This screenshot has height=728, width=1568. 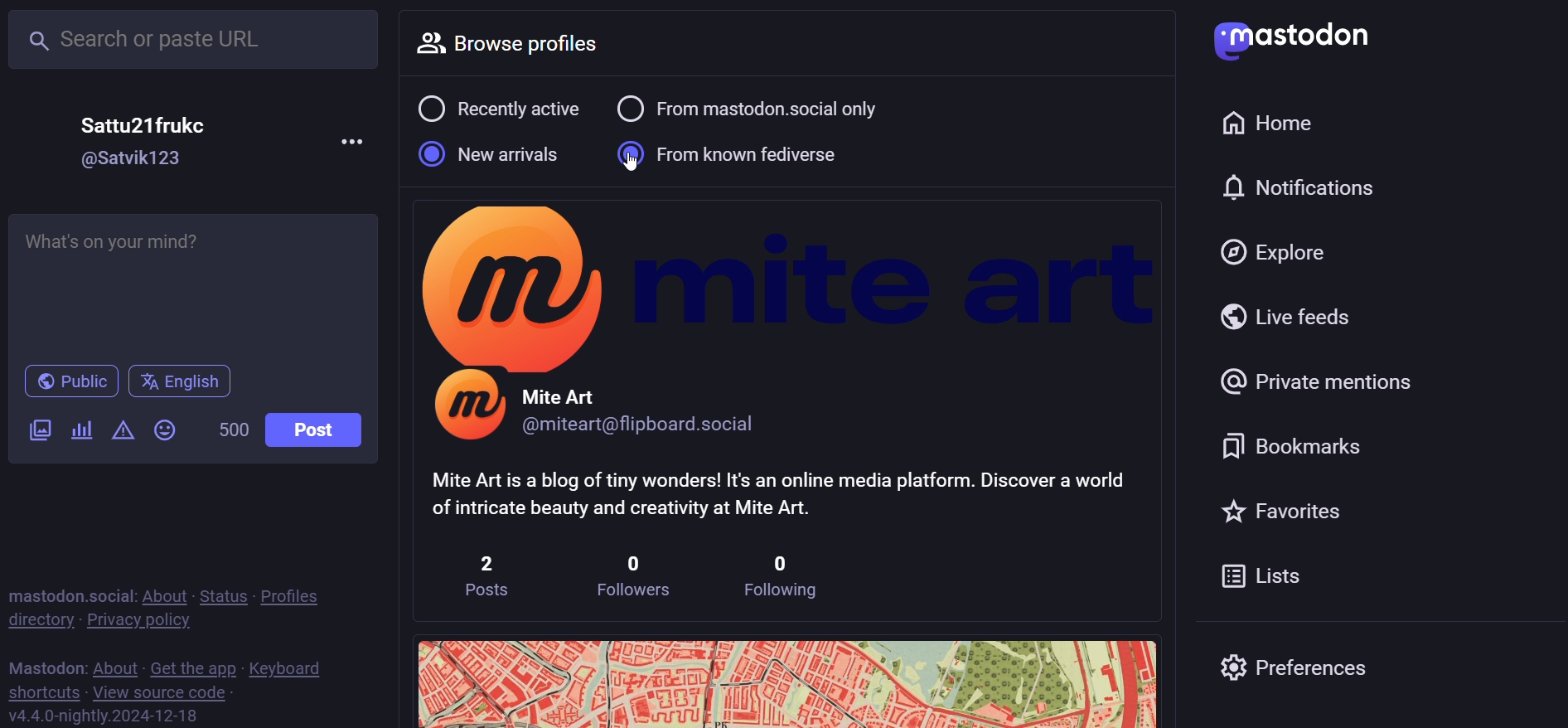 What do you see at coordinates (1285, 248) in the screenshot?
I see `explore` at bounding box center [1285, 248].